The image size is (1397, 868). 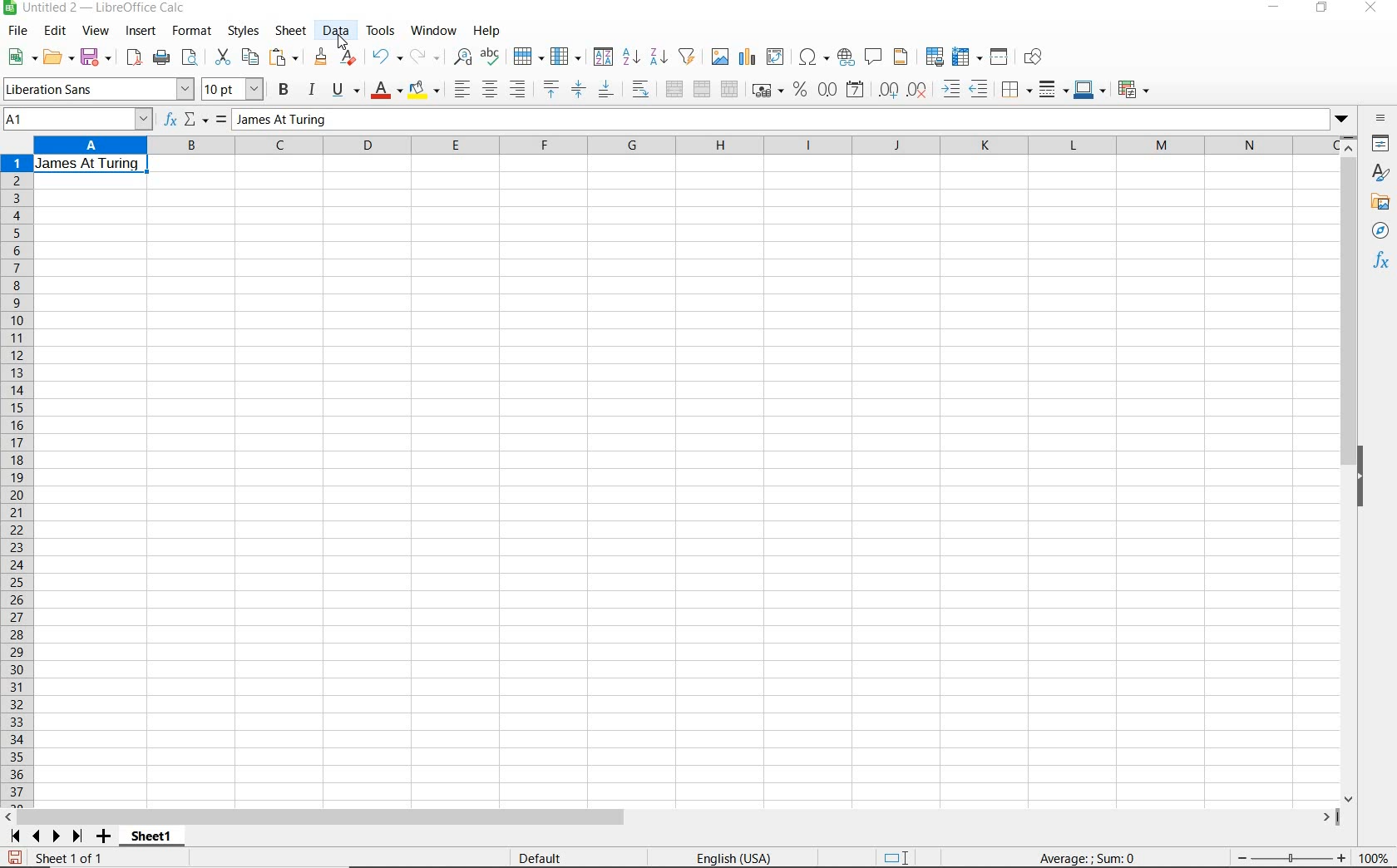 What do you see at coordinates (1381, 230) in the screenshot?
I see `navigator` at bounding box center [1381, 230].